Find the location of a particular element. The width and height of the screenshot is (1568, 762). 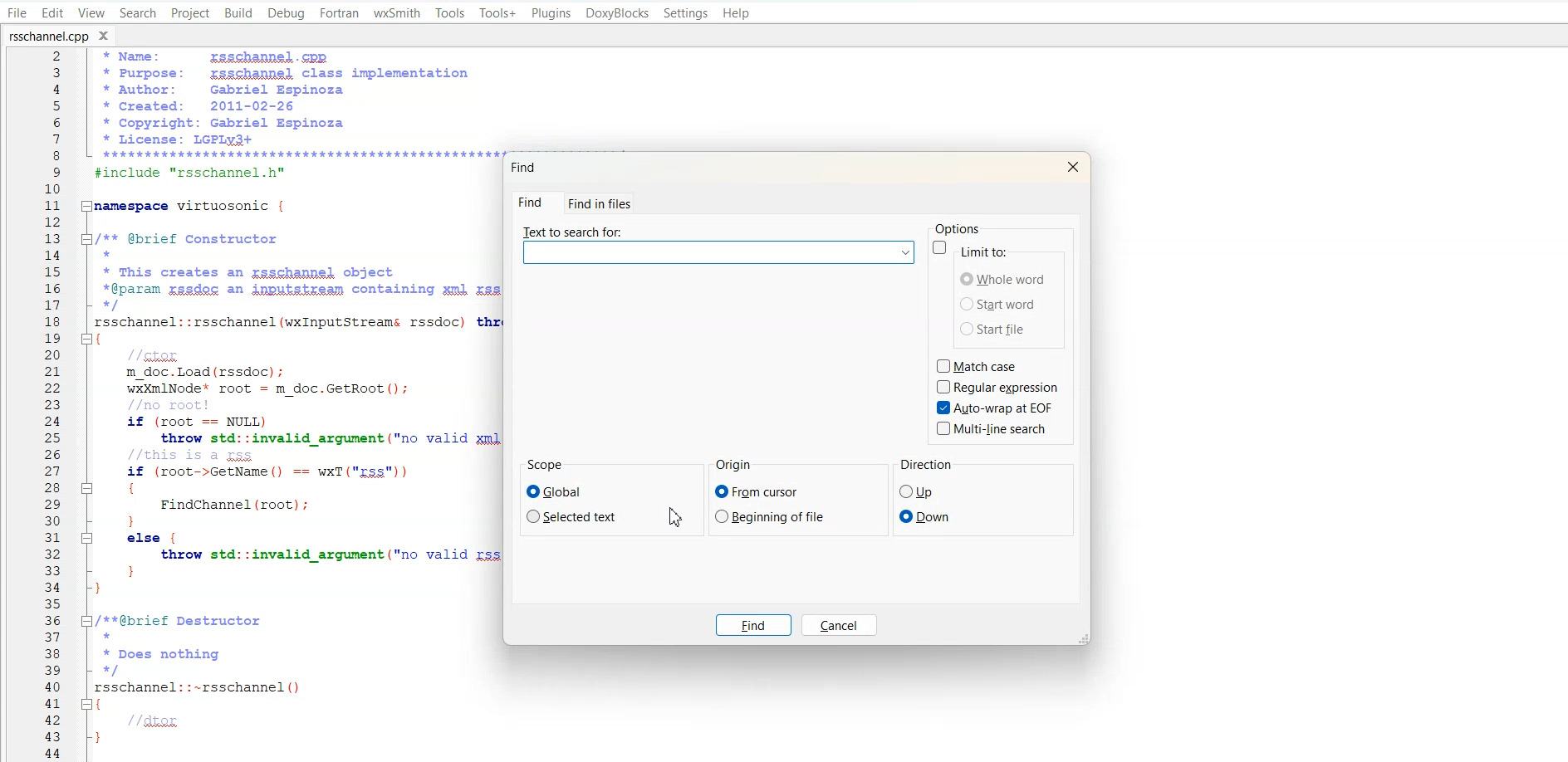

wxSmith is located at coordinates (397, 12).